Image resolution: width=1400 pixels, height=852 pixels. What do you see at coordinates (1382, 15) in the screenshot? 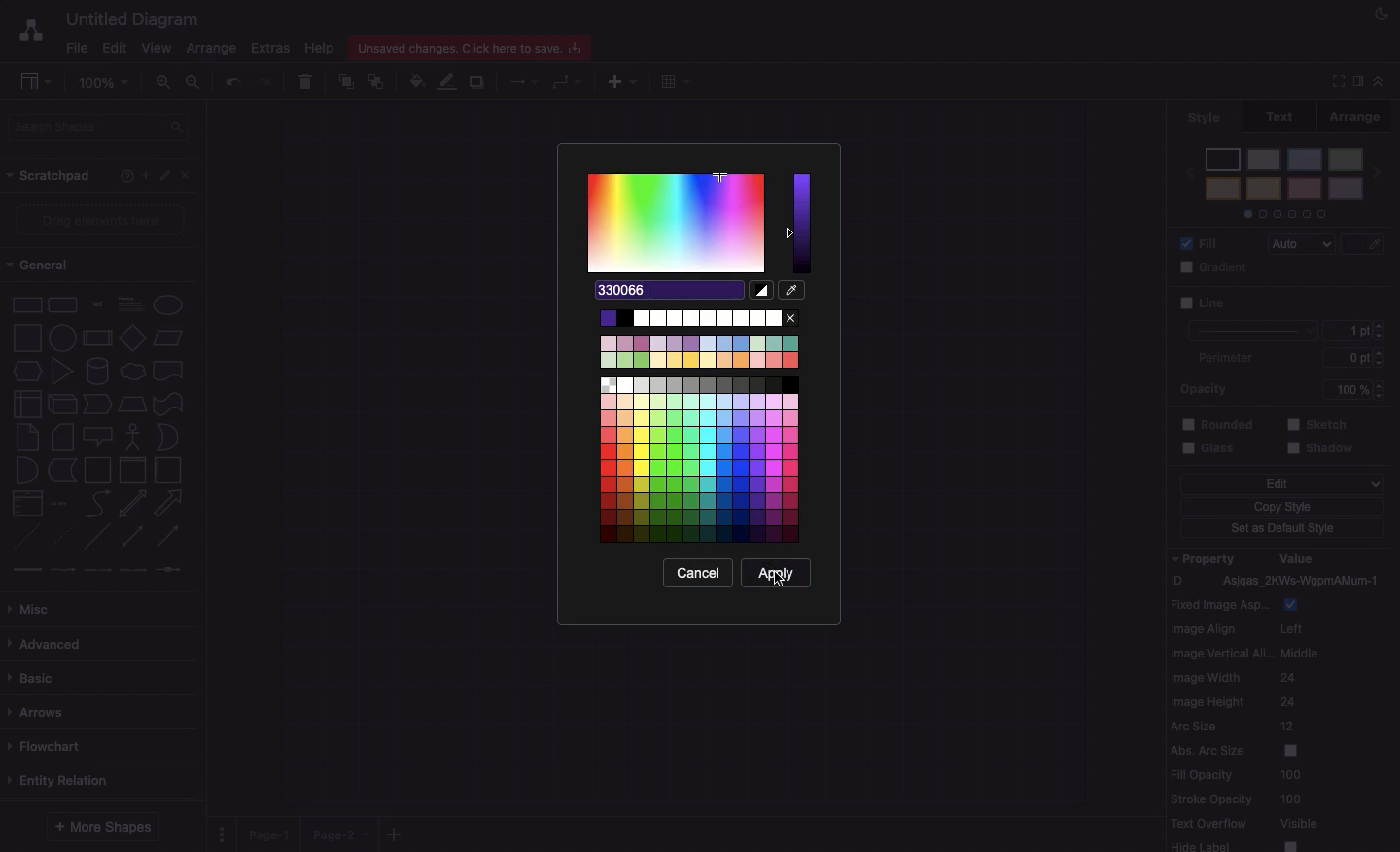
I see `Night mode` at bounding box center [1382, 15].